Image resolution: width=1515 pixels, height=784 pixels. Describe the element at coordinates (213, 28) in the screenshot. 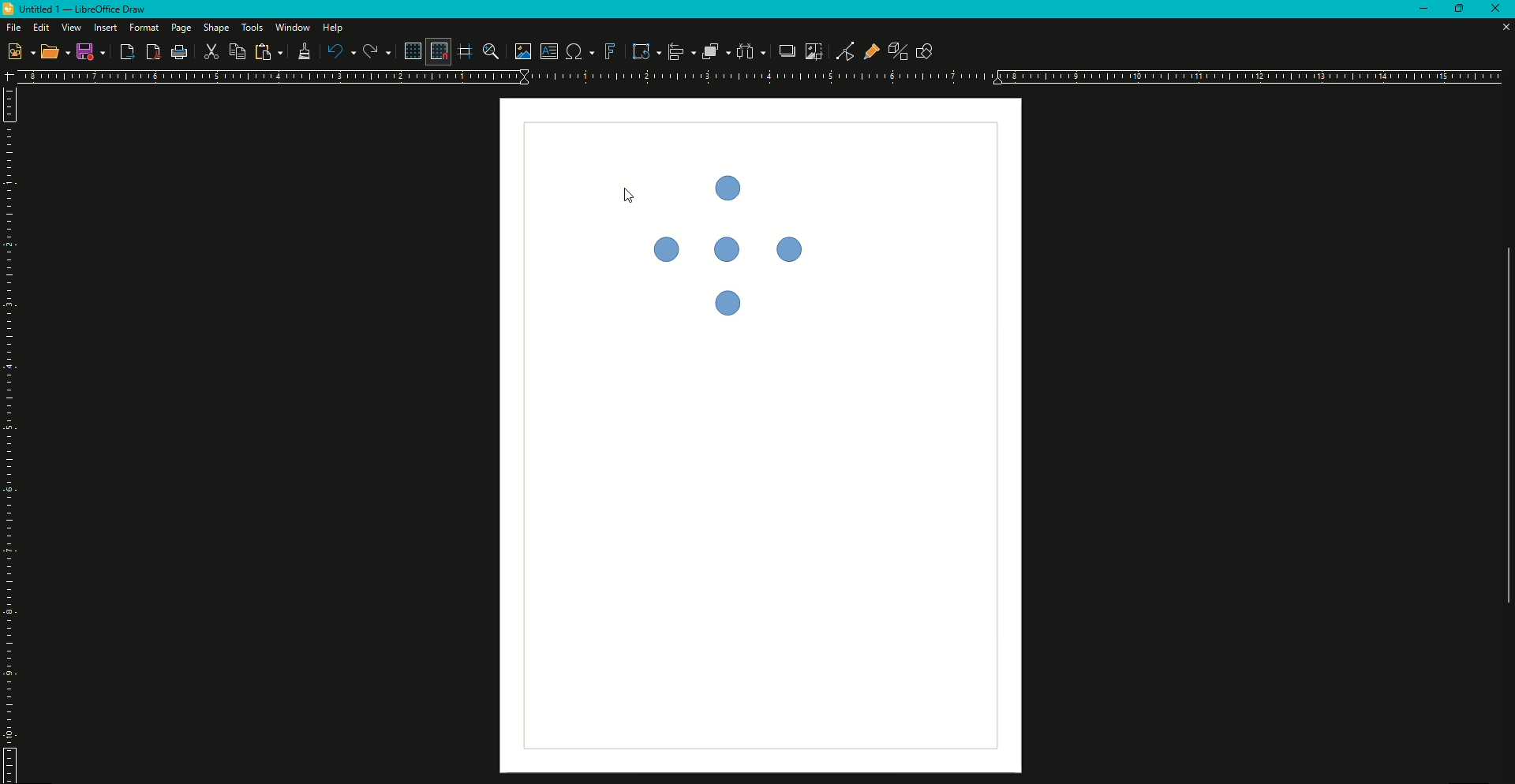

I see `Shape` at that location.